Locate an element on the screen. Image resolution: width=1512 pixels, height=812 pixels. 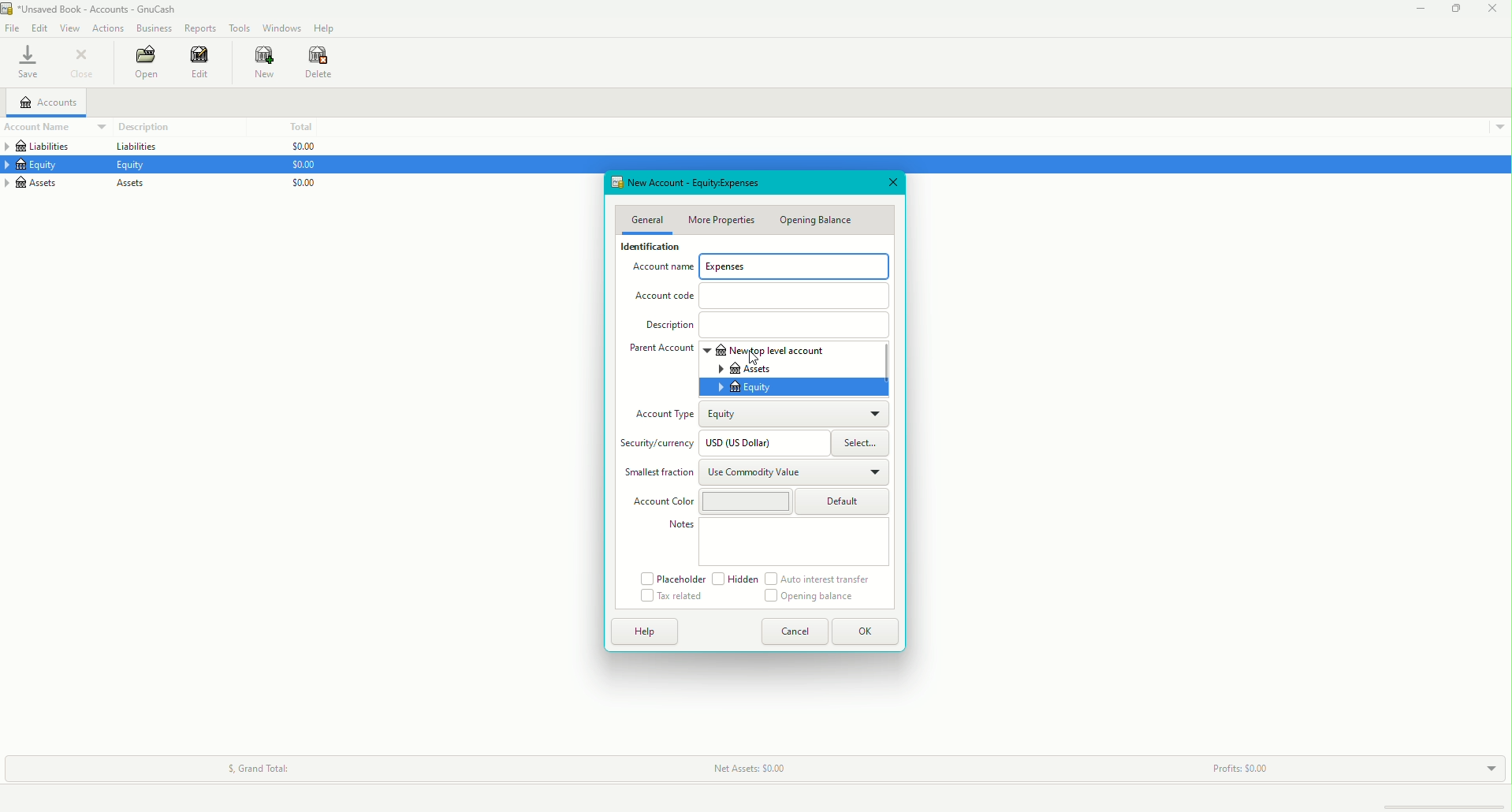
Liabilities is located at coordinates (134, 147).